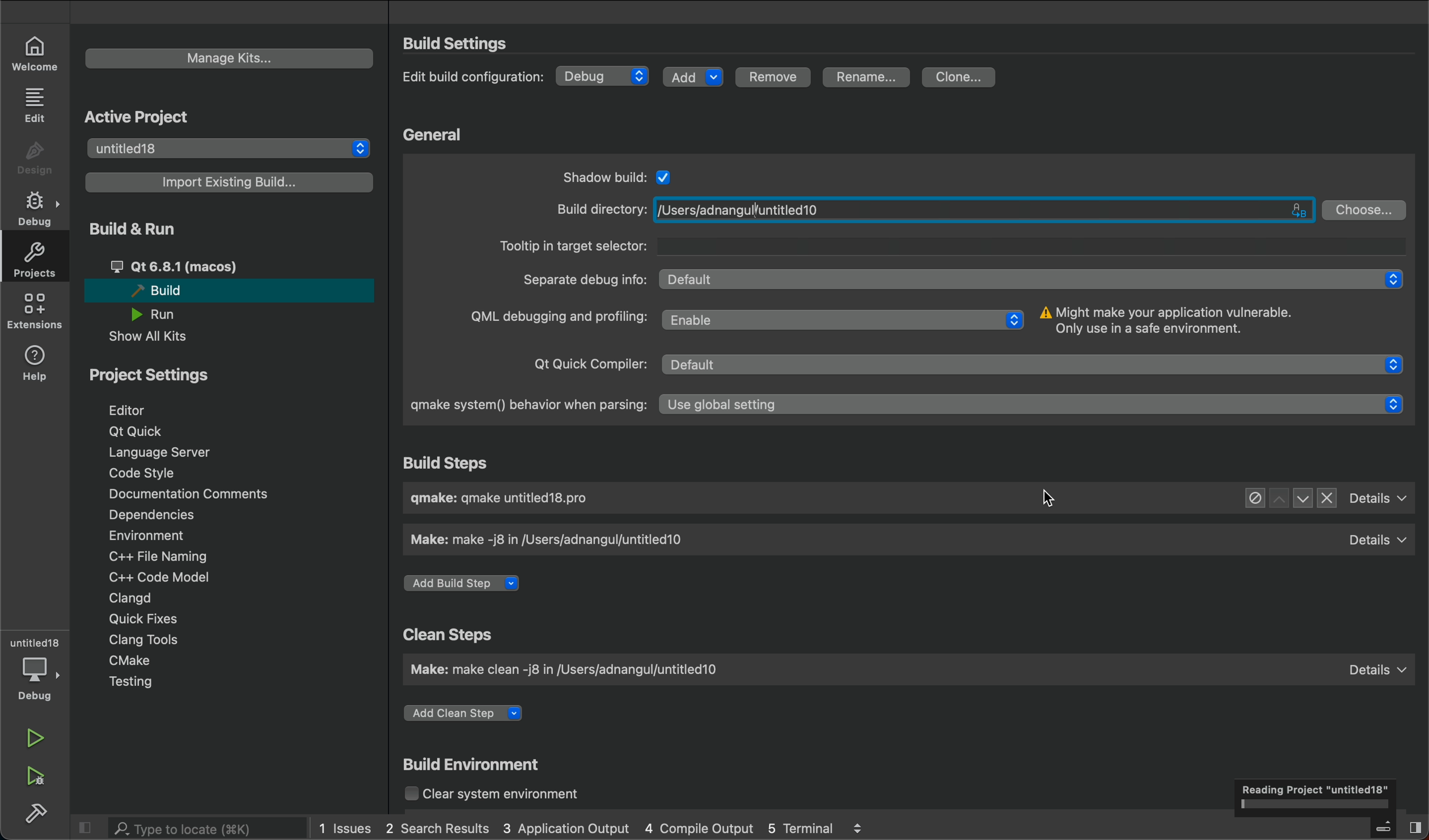 This screenshot has width=1429, height=840. I want to click on Next, so click(1301, 498).